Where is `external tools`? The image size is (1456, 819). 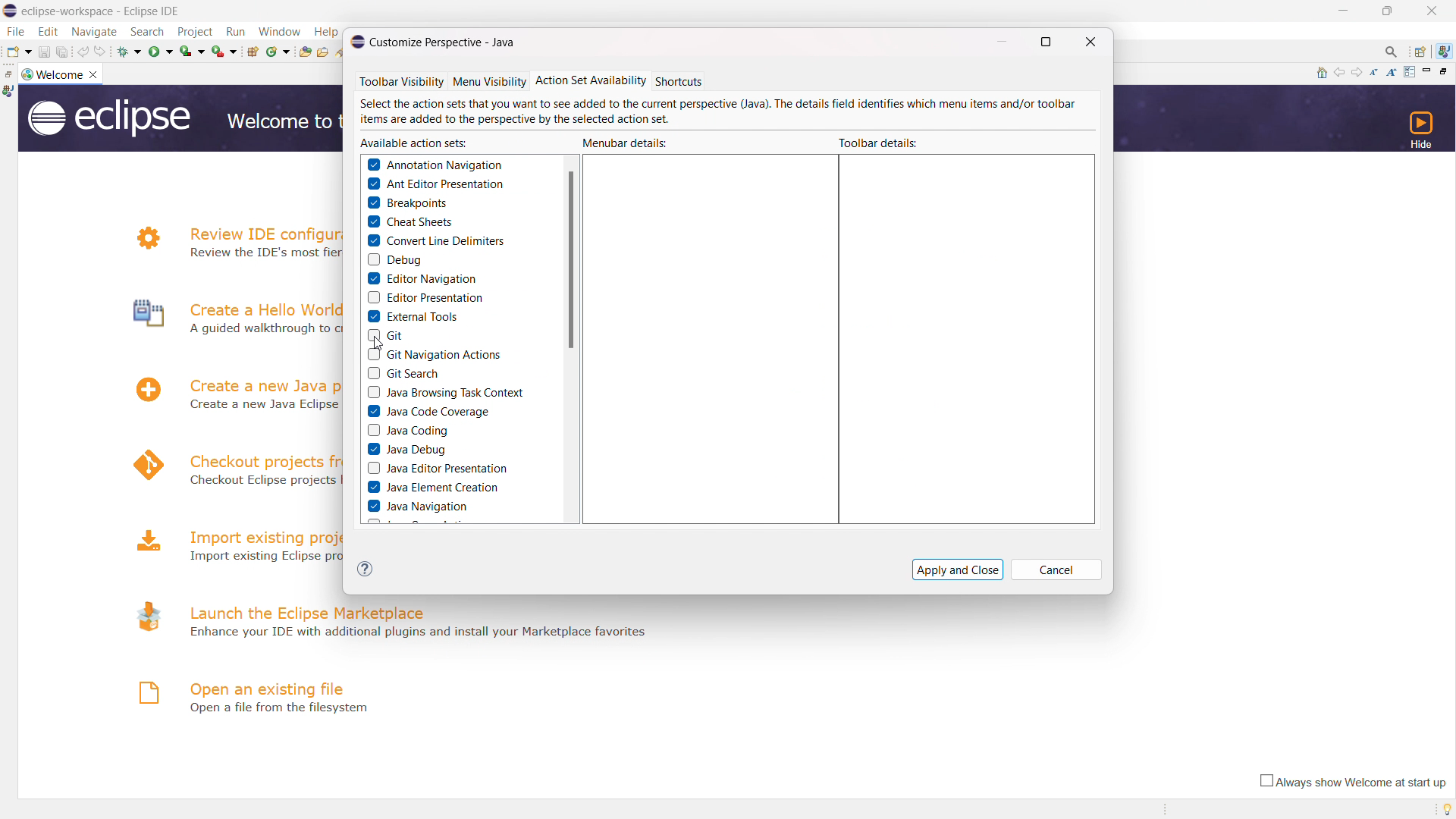
external tools is located at coordinates (411, 316).